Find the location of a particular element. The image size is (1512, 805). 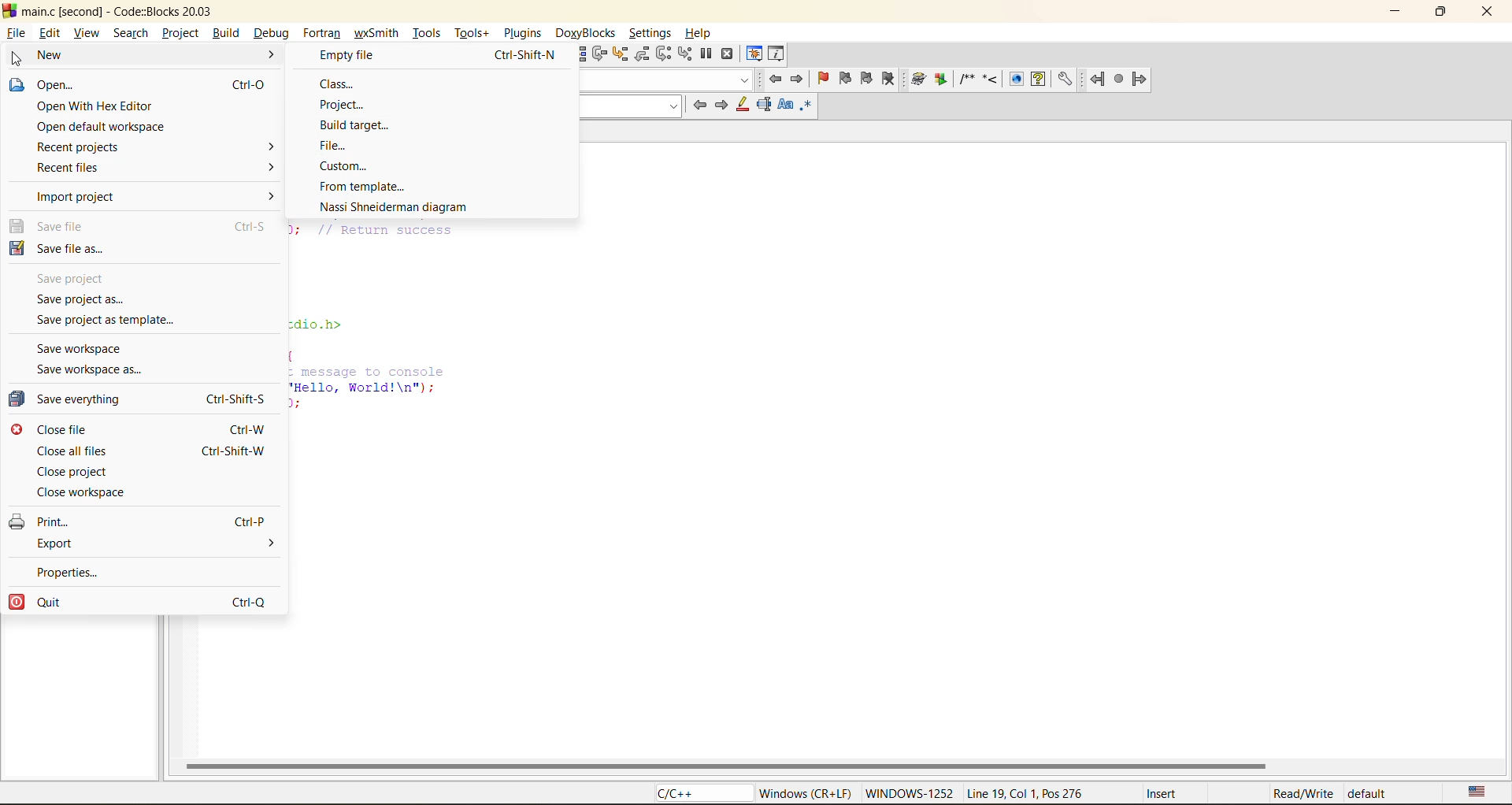

save file is located at coordinates (57, 227).